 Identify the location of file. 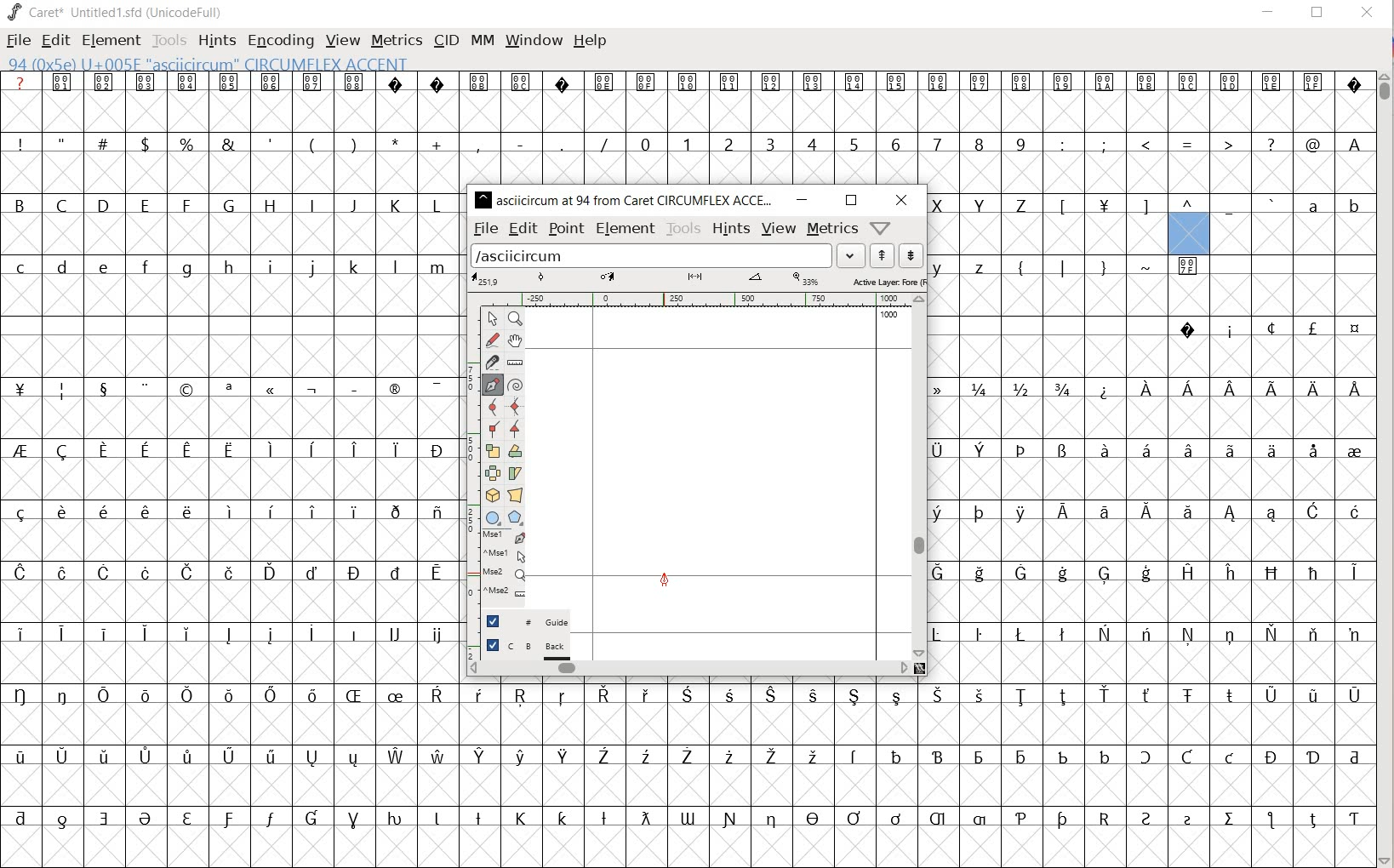
(485, 230).